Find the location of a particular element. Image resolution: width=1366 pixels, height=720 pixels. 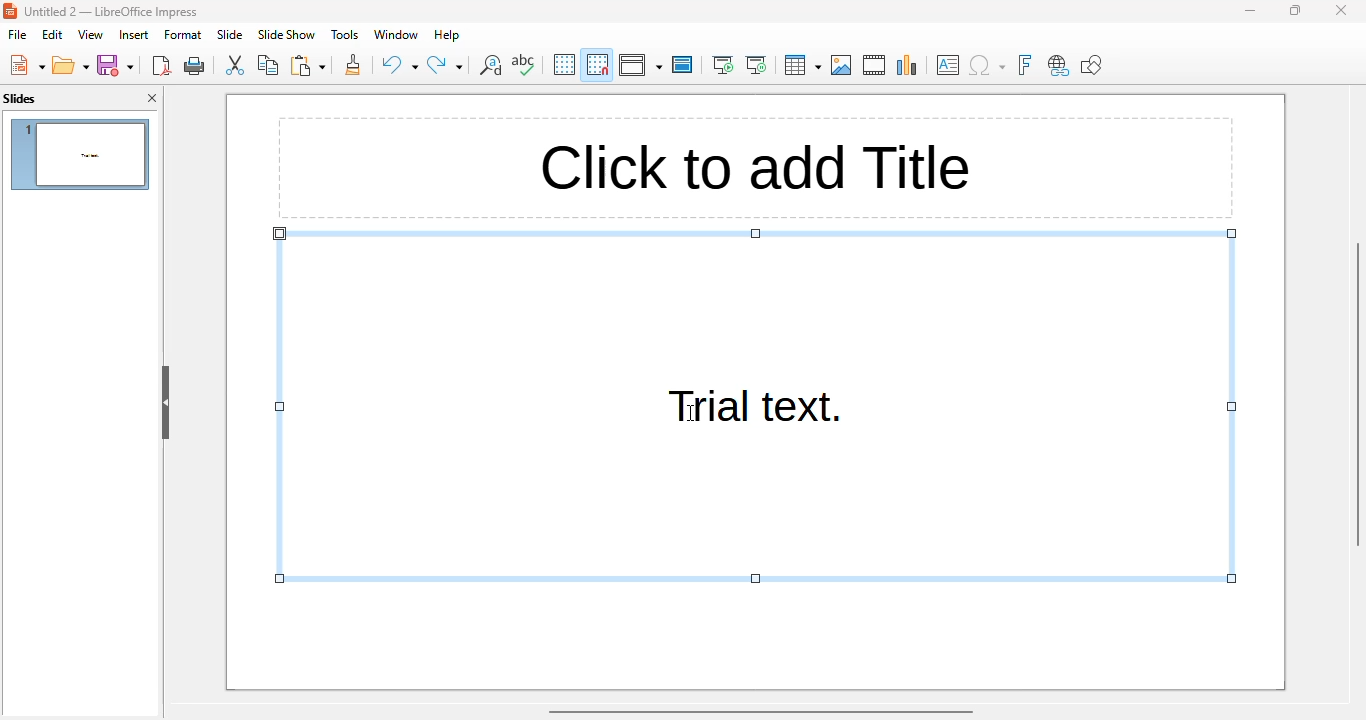

horizontal scroll bar is located at coordinates (761, 712).